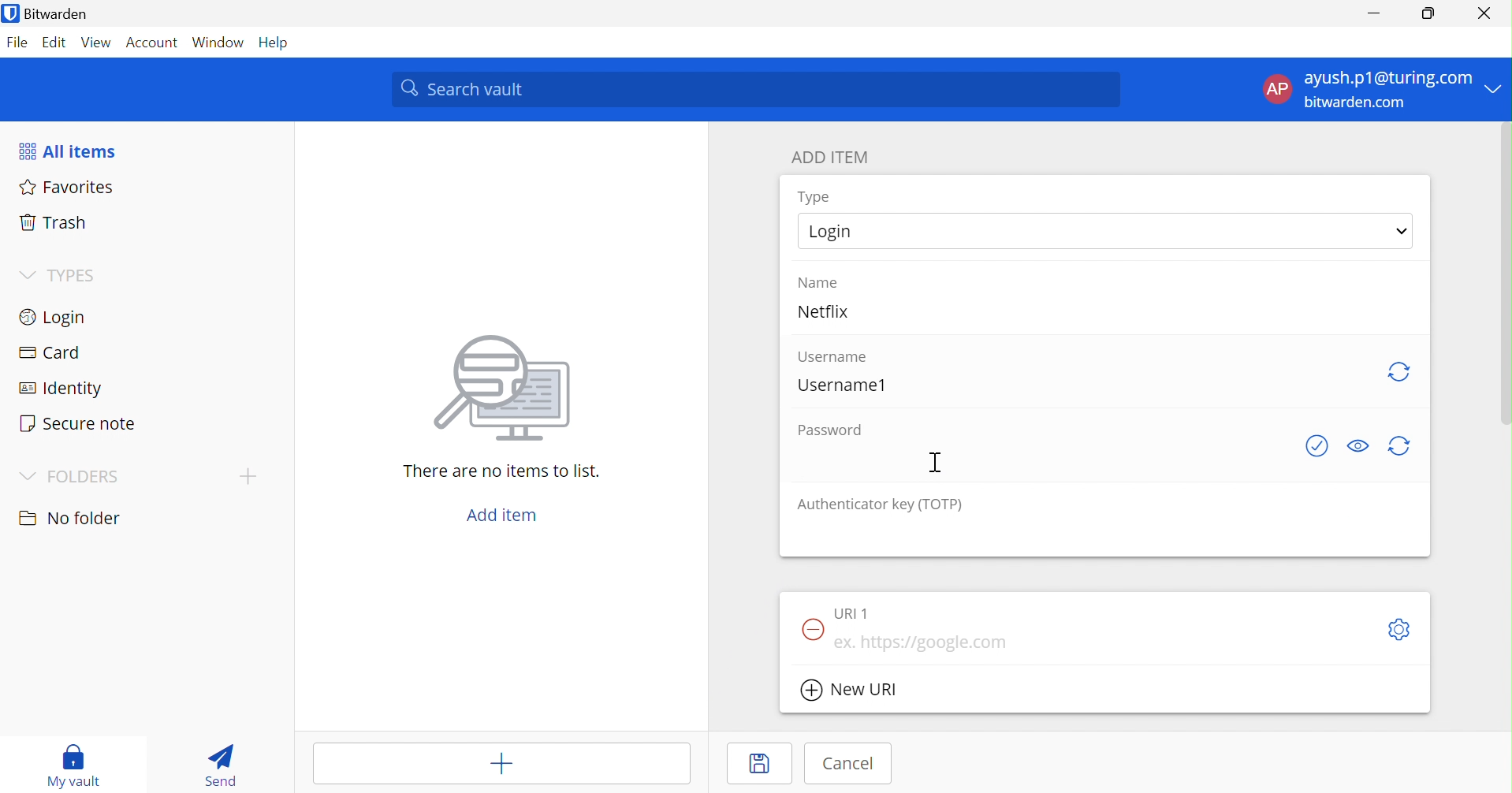  Describe the element at coordinates (812, 631) in the screenshot. I see `Remove` at that location.